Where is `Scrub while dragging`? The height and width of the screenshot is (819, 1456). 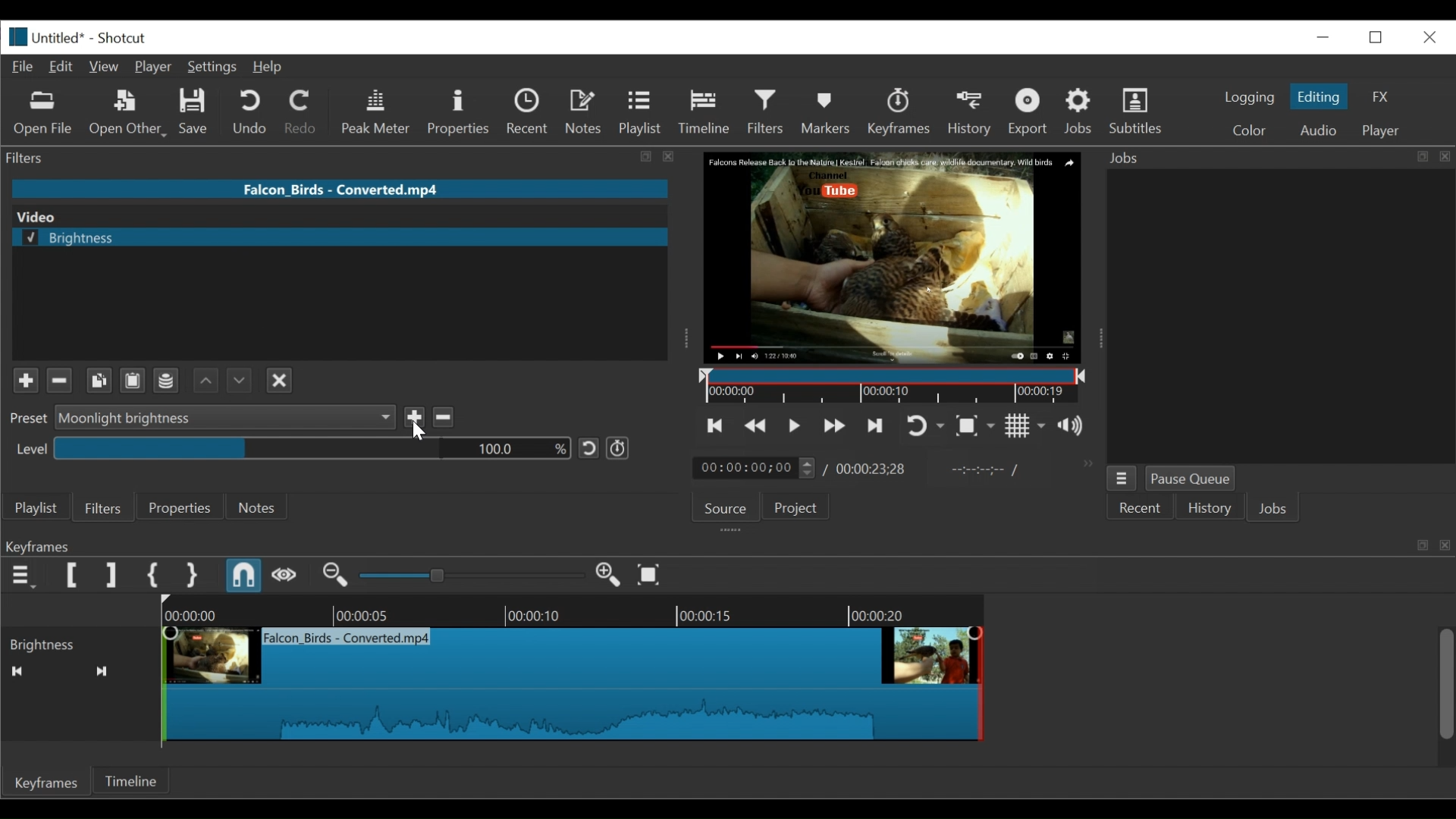 Scrub while dragging is located at coordinates (284, 576).